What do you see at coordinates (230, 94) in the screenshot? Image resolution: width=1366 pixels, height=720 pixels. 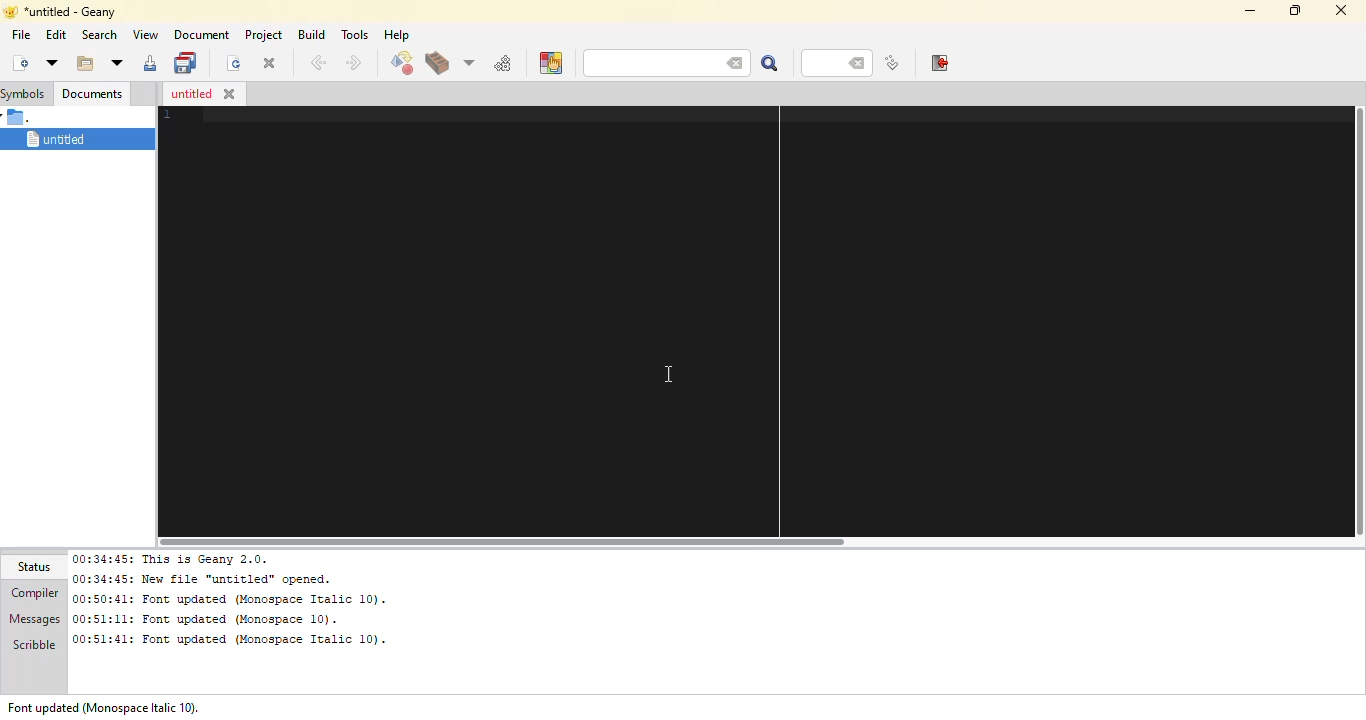 I see `close` at bounding box center [230, 94].